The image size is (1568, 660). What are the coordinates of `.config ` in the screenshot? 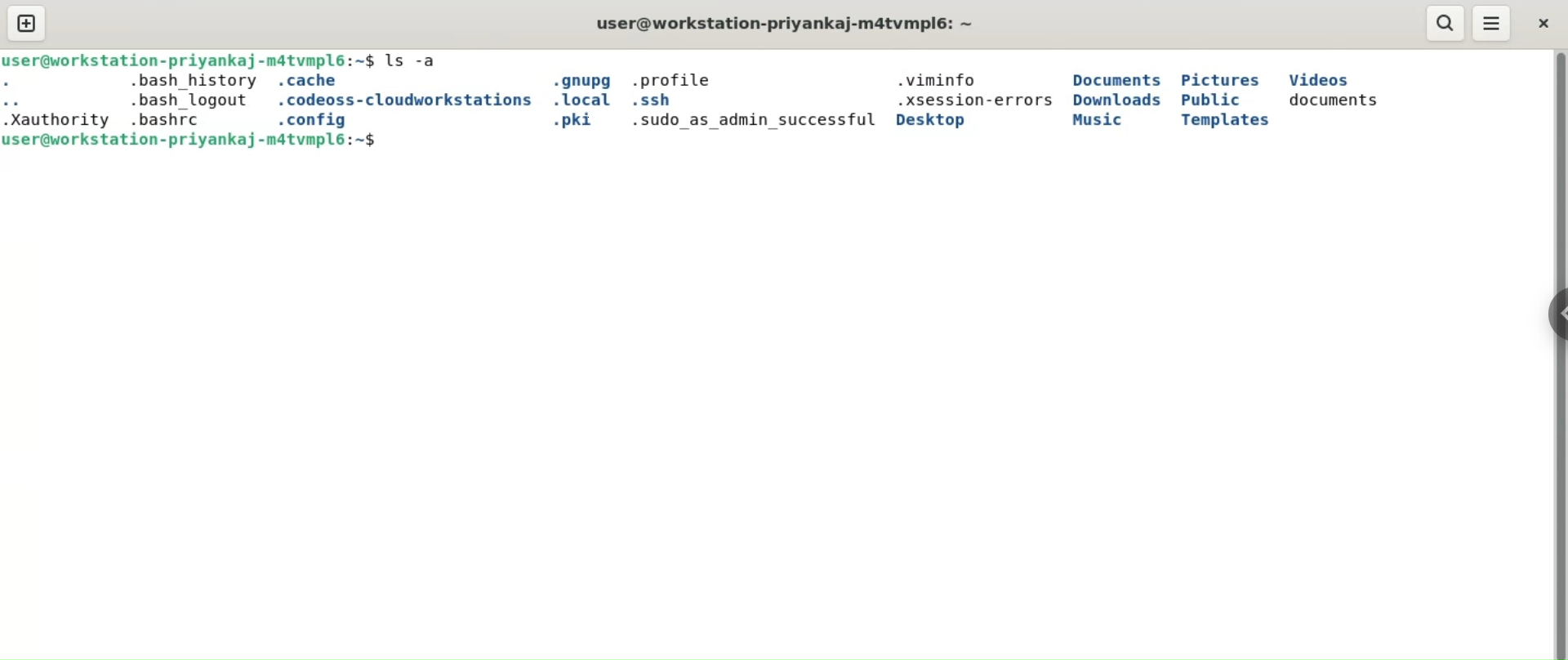 It's located at (322, 121).